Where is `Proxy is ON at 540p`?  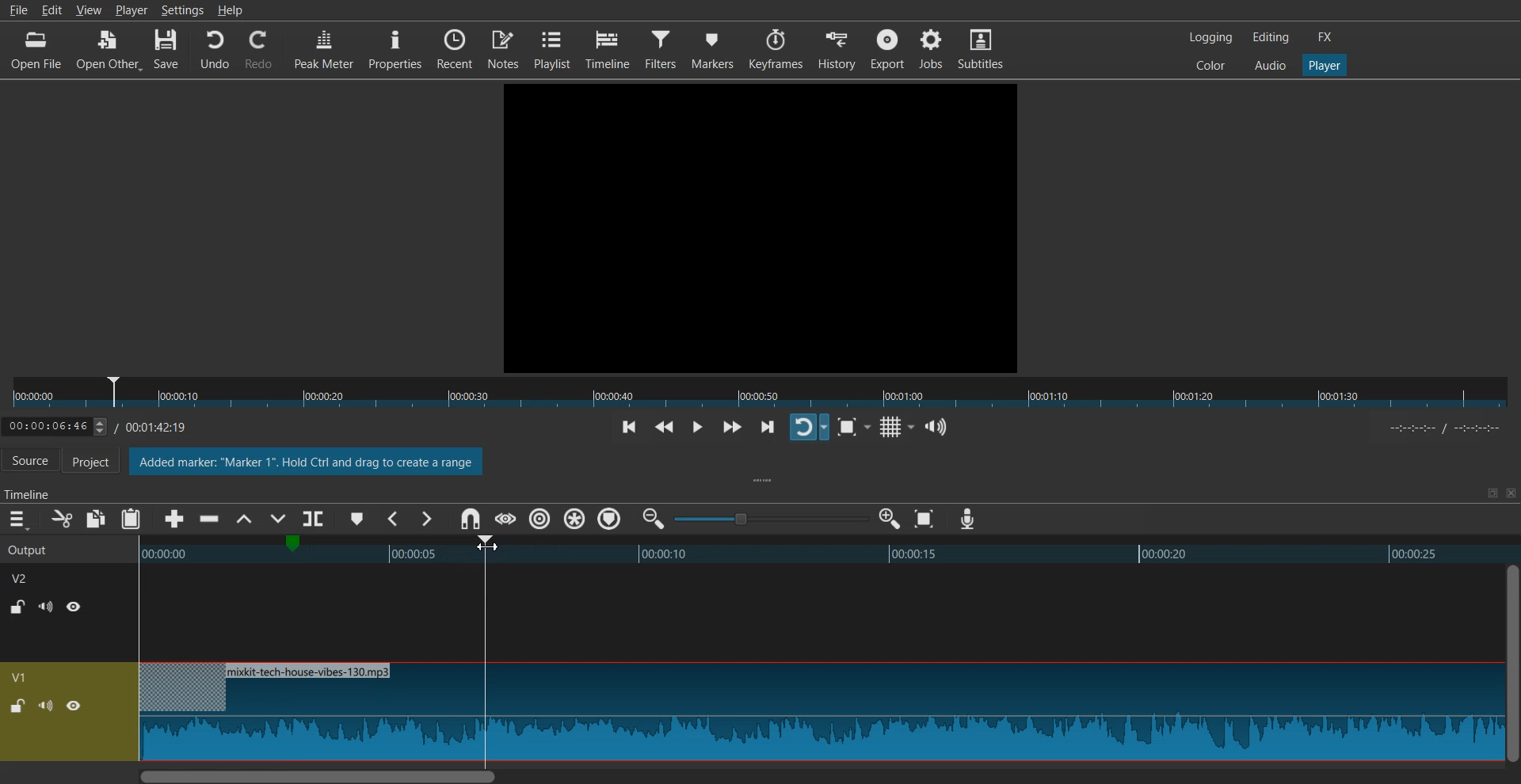
Proxy is ON at 540p is located at coordinates (307, 463).